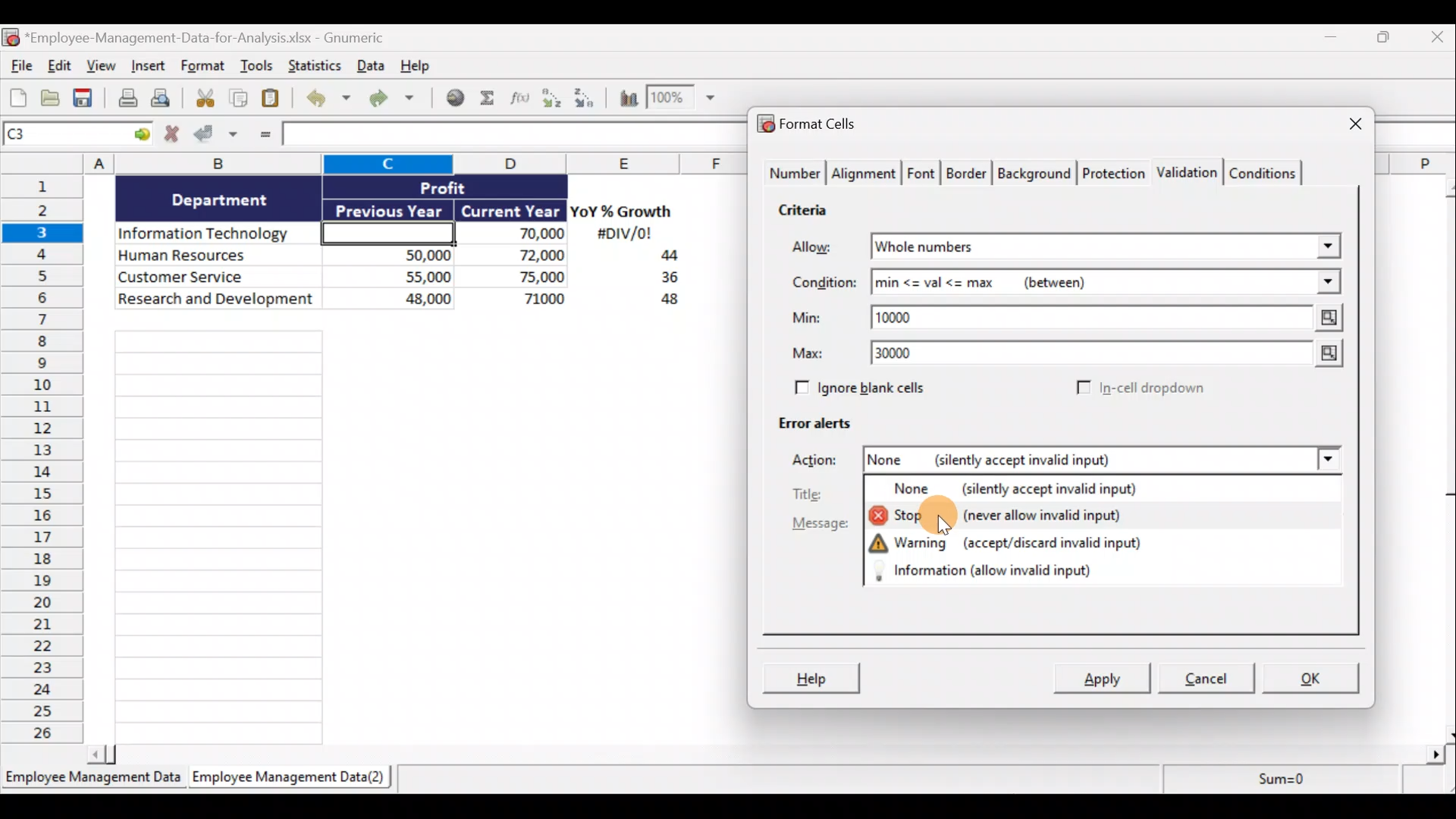 The width and height of the screenshot is (1456, 819). I want to click on Background, so click(1038, 174).